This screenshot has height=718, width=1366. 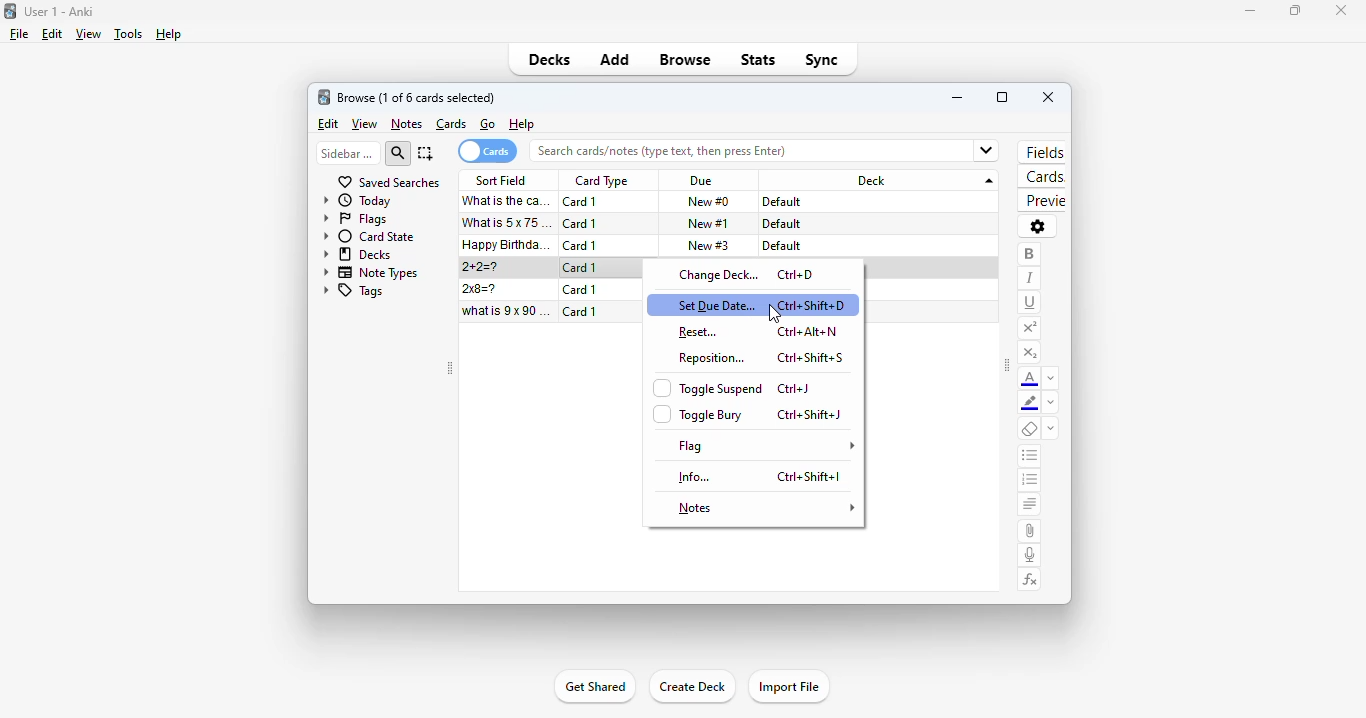 I want to click on card 1, so click(x=581, y=224).